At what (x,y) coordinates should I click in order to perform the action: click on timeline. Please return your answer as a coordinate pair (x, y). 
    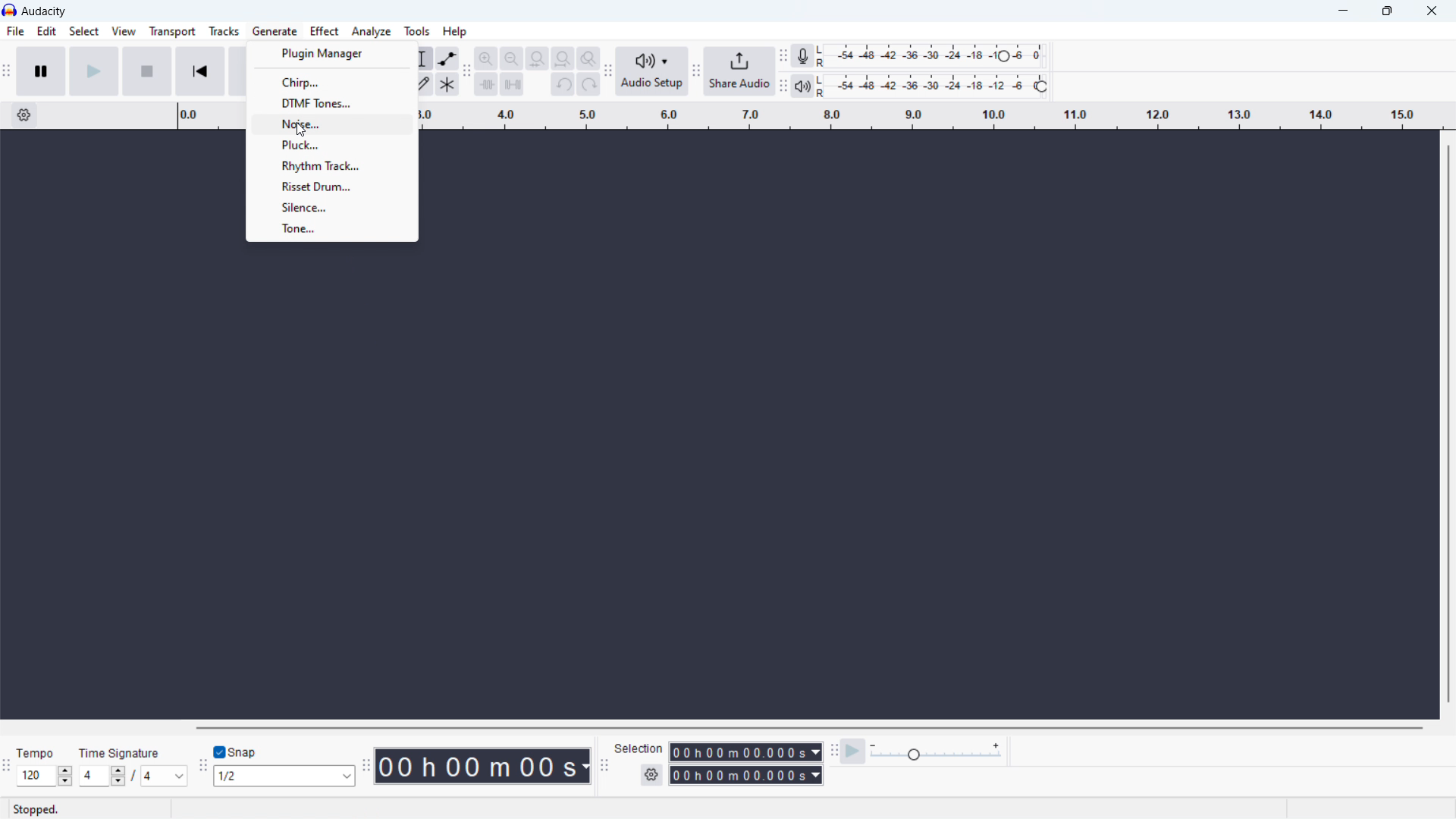
    Looking at the image, I should click on (208, 115).